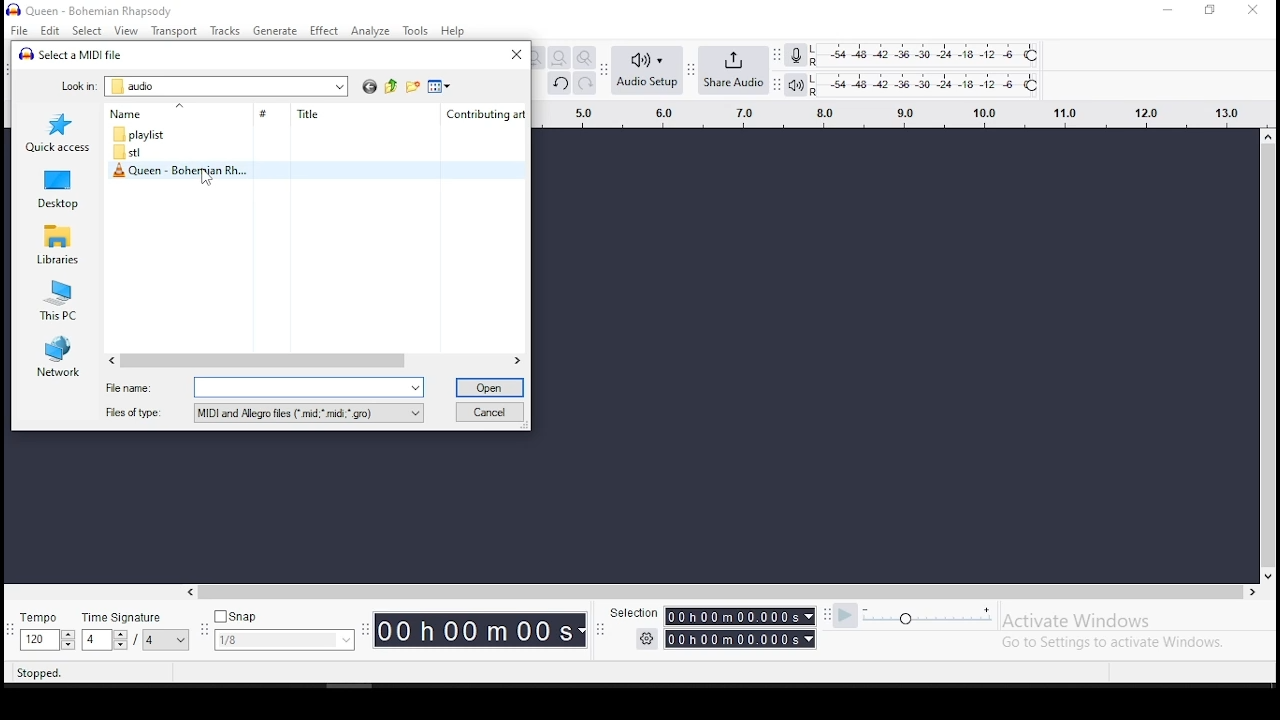 This screenshot has height=720, width=1280. Describe the element at coordinates (87, 32) in the screenshot. I see `select` at that location.